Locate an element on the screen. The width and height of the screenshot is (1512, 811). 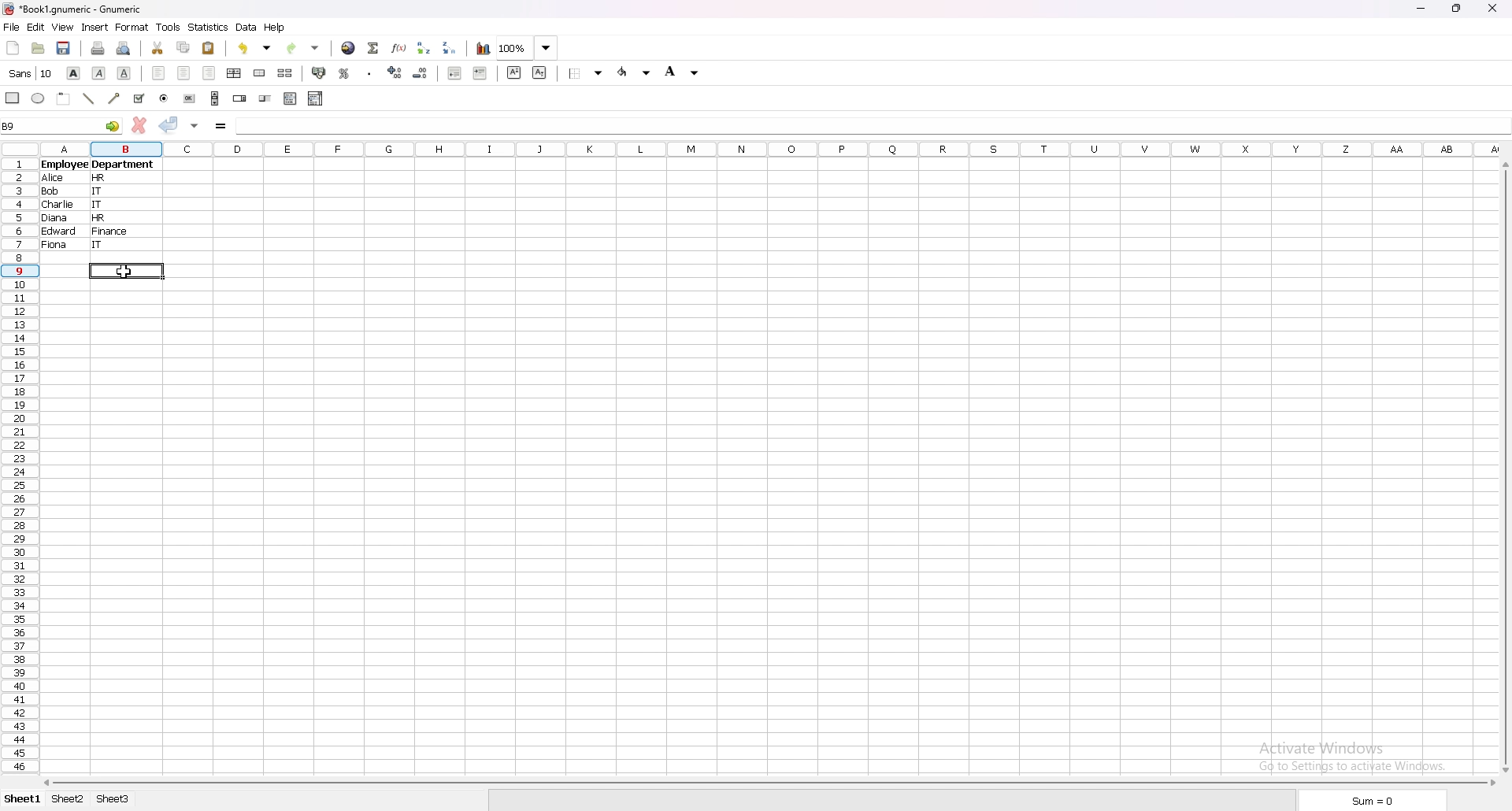
combo box is located at coordinates (316, 98).